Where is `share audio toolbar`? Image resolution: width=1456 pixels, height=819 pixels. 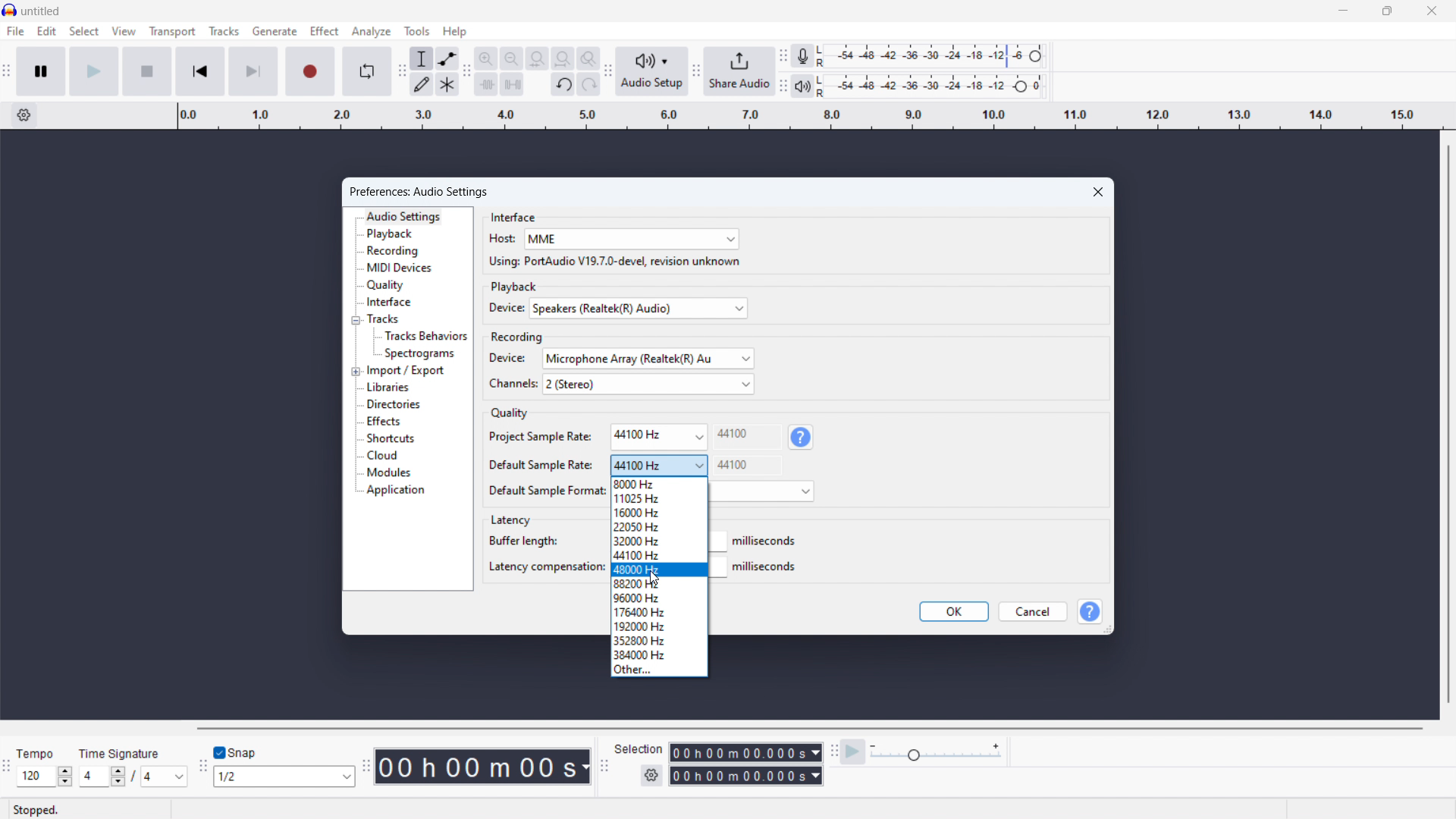
share audio toolbar is located at coordinates (696, 72).